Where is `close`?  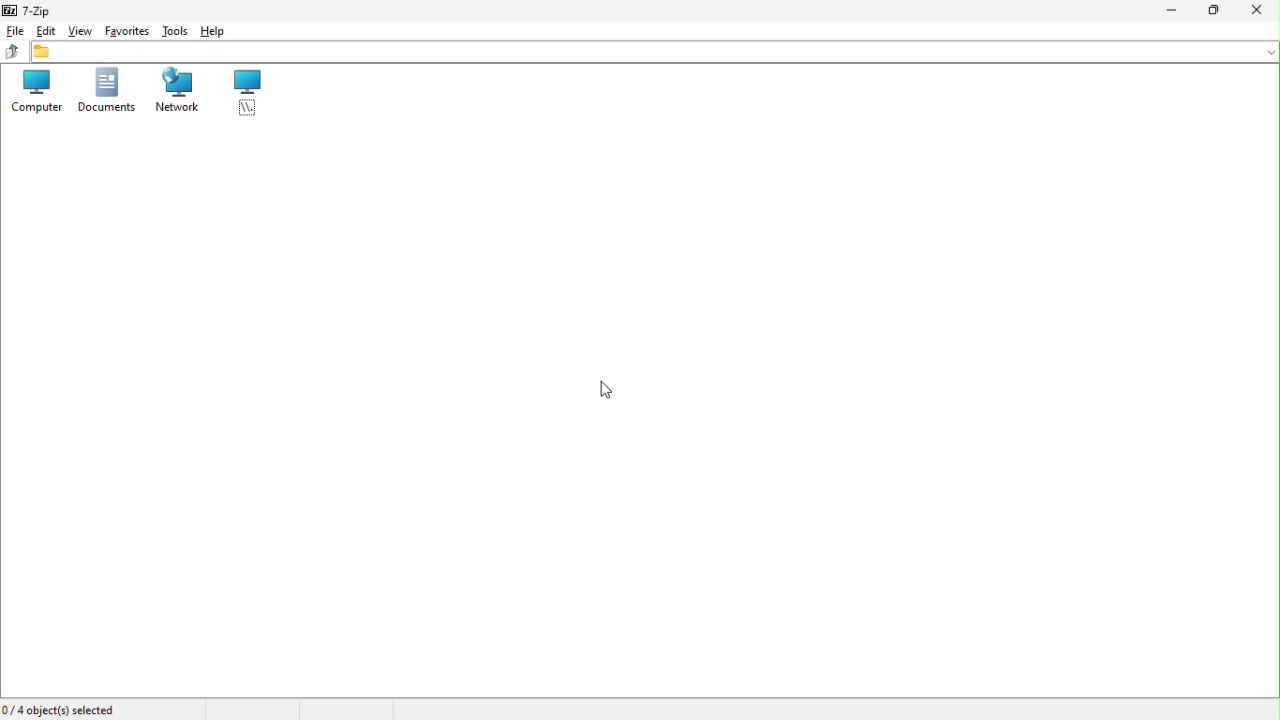 close is located at coordinates (1258, 13).